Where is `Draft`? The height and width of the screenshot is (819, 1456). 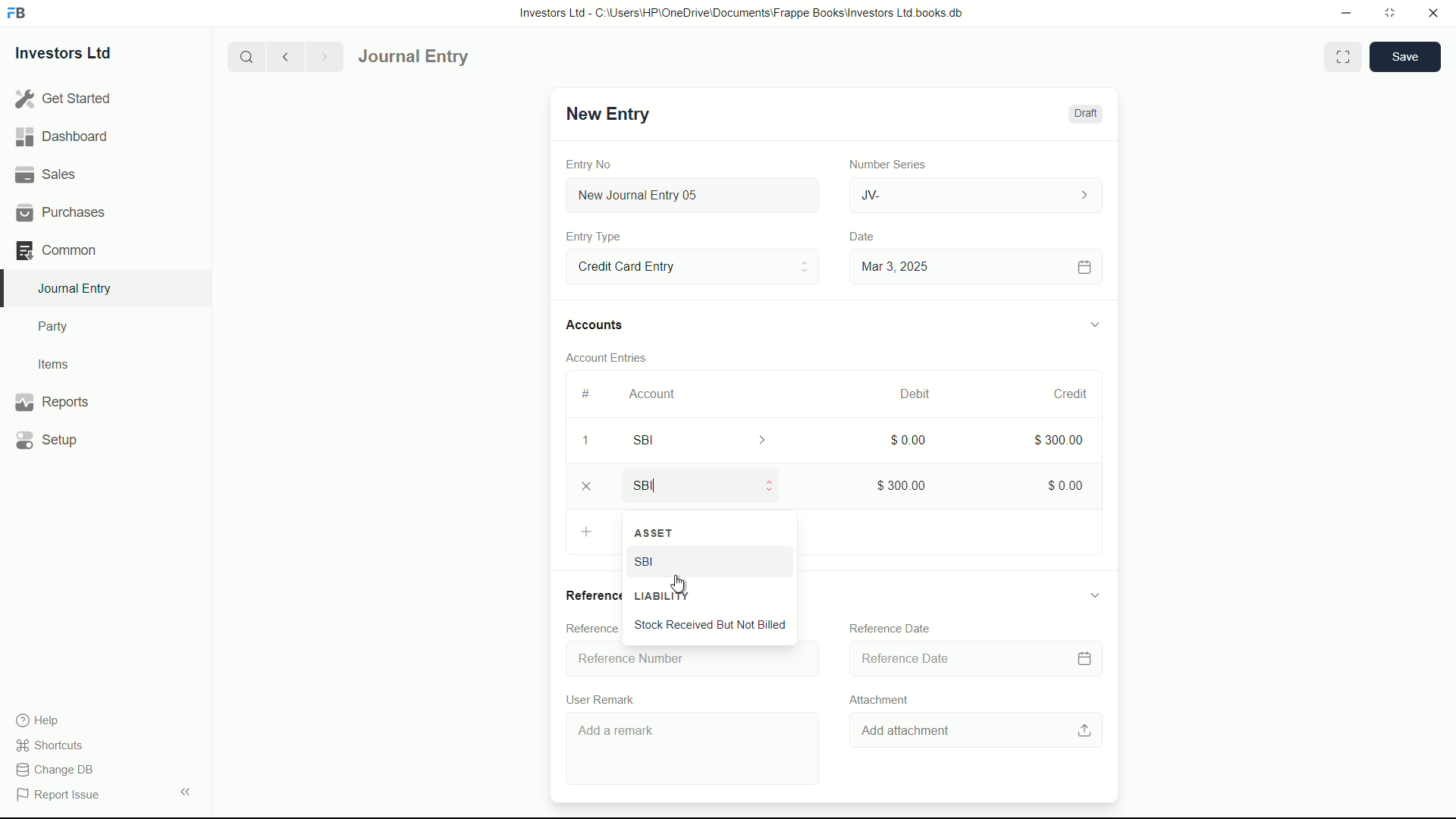
Draft is located at coordinates (1084, 114).